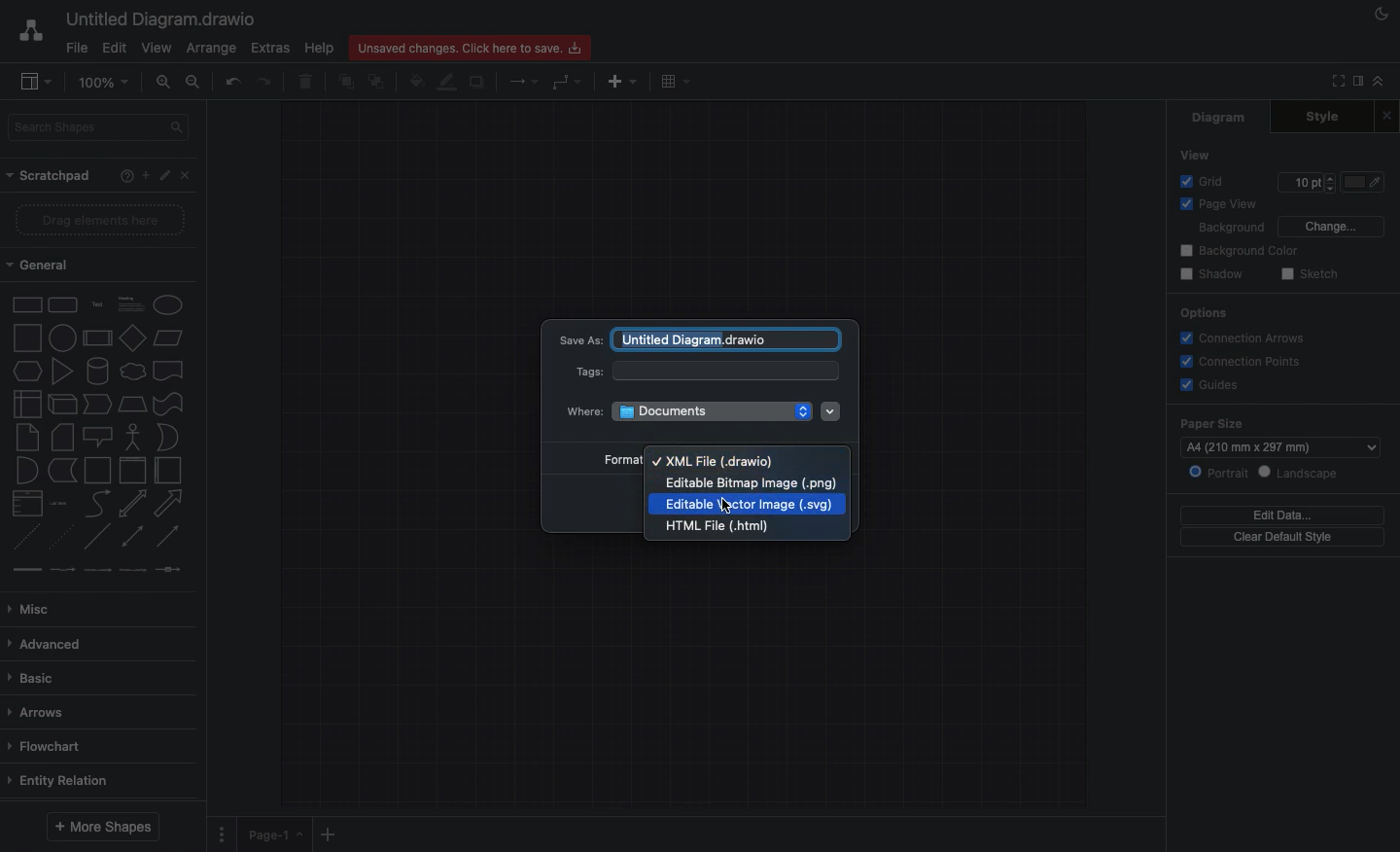 Image resolution: width=1400 pixels, height=852 pixels. I want to click on Redo, so click(264, 81).